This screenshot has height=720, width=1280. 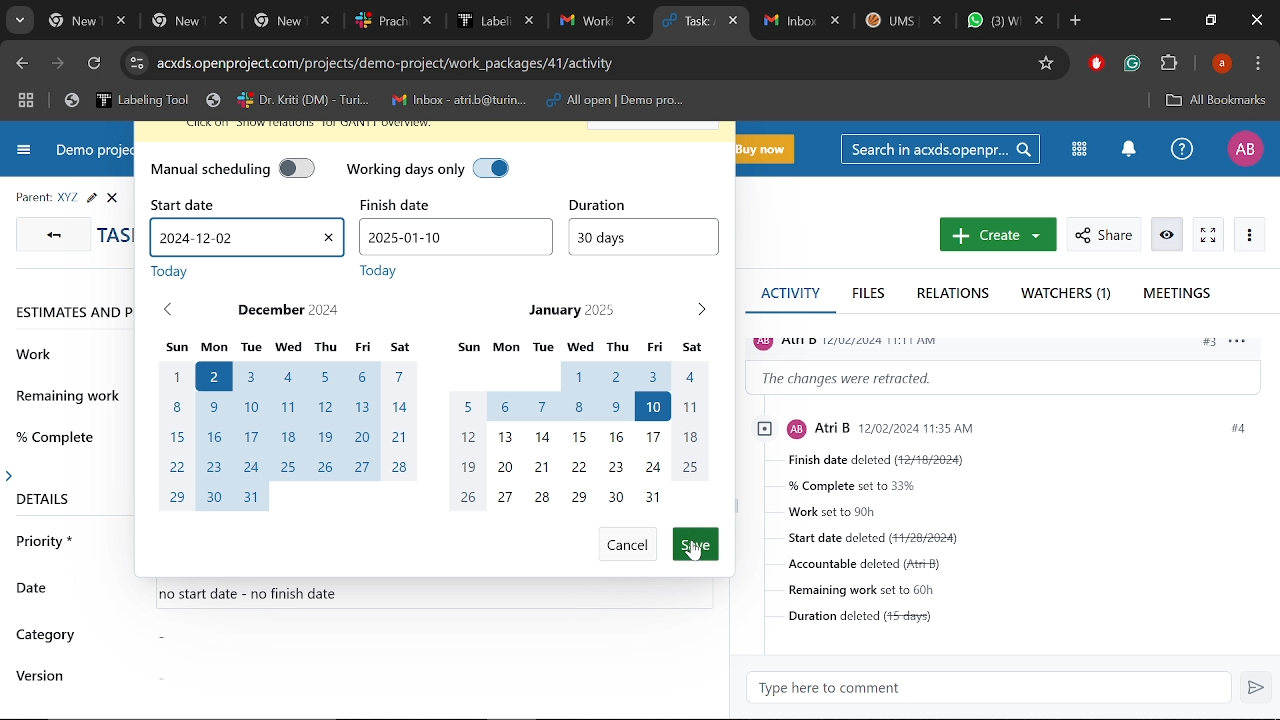 What do you see at coordinates (381, 269) in the screenshot?
I see `today` at bounding box center [381, 269].